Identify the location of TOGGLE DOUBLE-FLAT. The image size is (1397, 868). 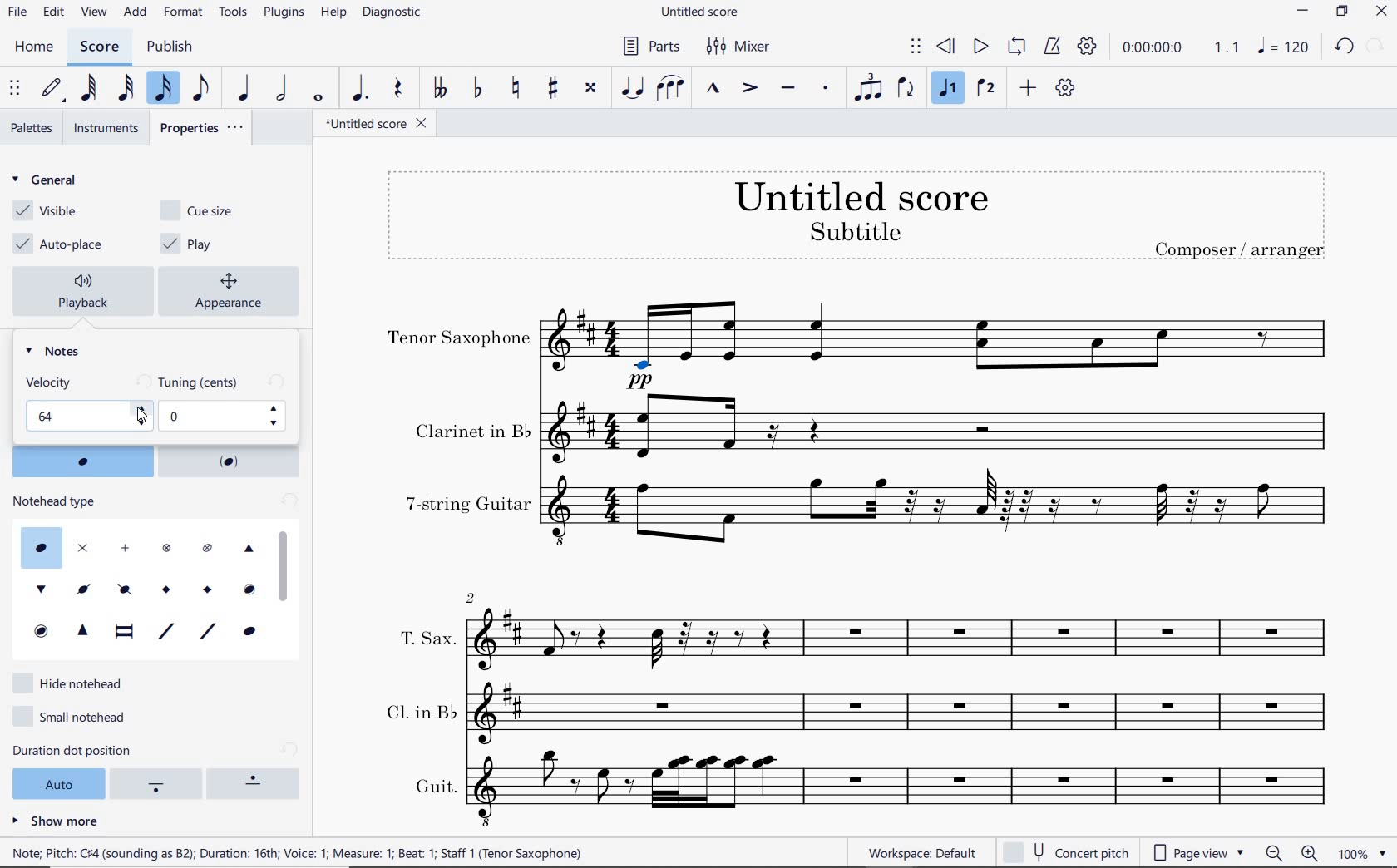
(442, 86).